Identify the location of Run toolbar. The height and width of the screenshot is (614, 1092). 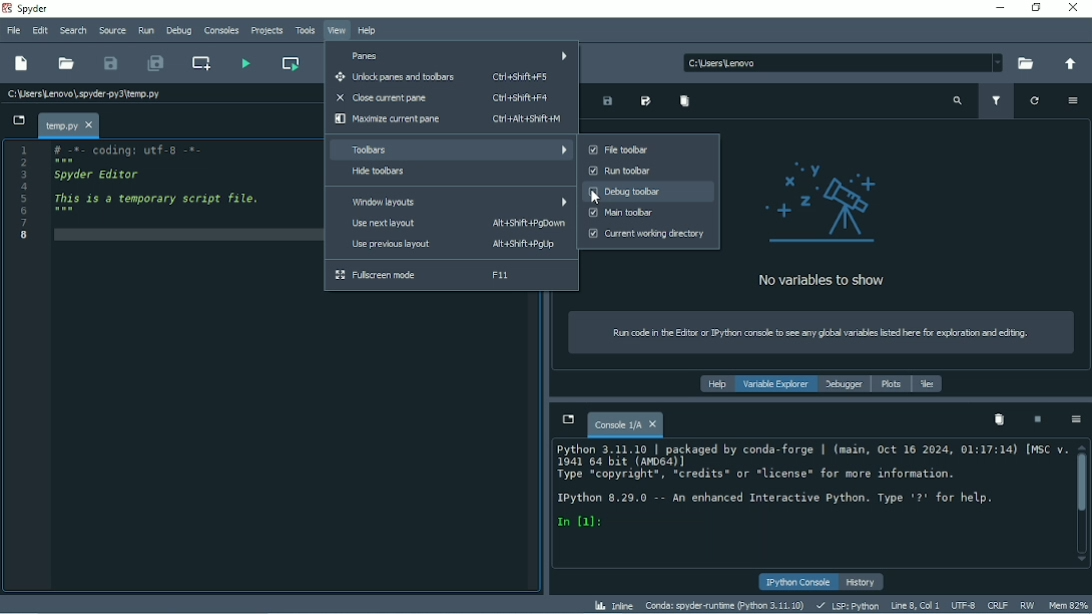
(649, 172).